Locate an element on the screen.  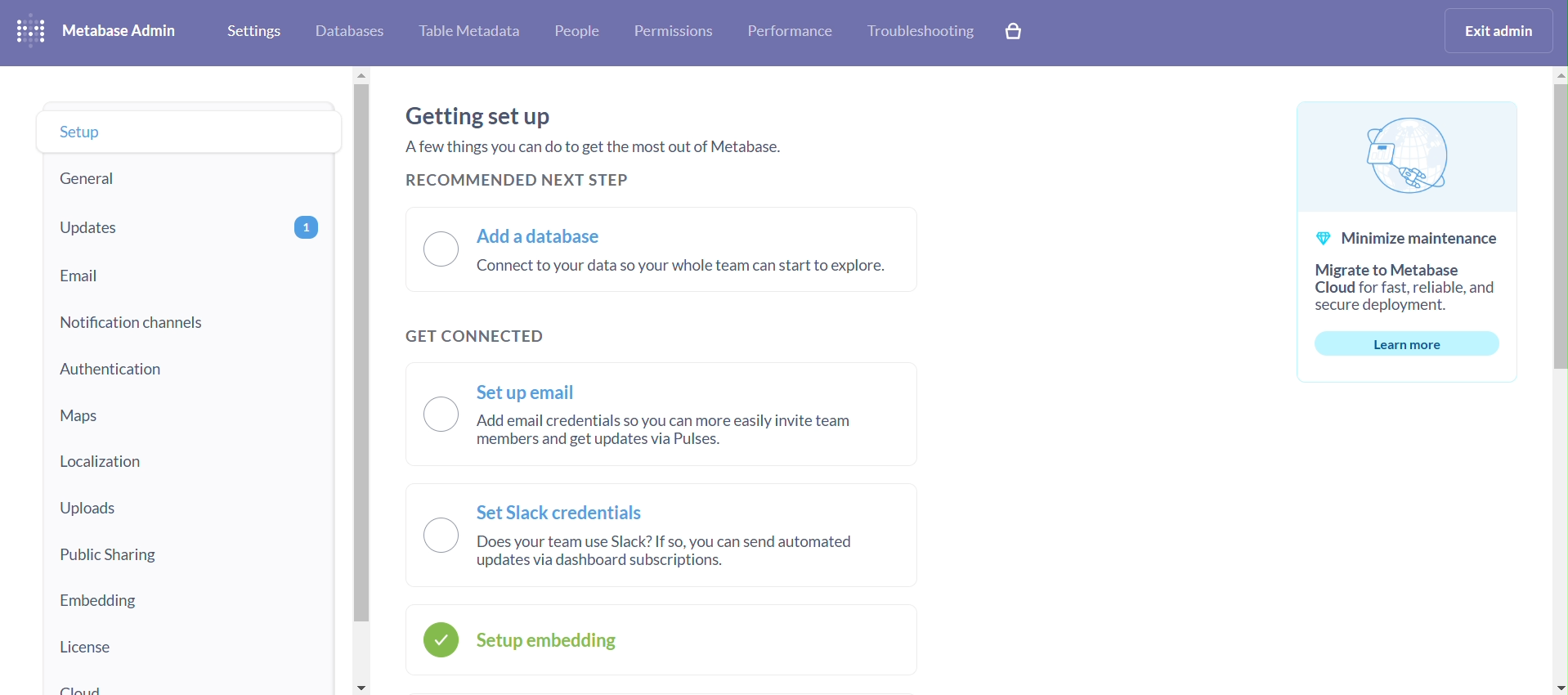
metabase admin is located at coordinates (127, 33).